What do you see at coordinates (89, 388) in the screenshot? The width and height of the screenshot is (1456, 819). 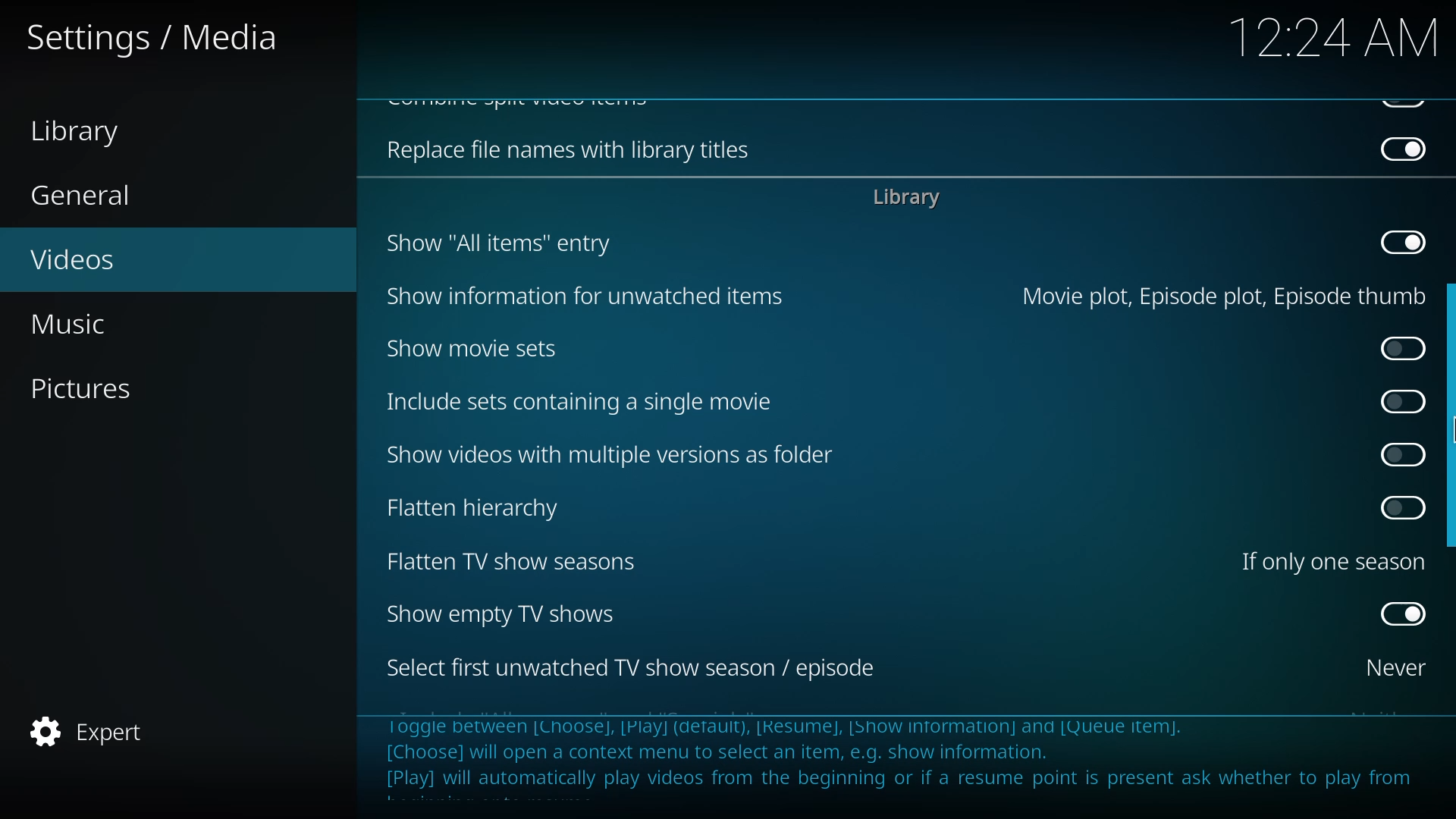 I see `pictures` at bounding box center [89, 388].